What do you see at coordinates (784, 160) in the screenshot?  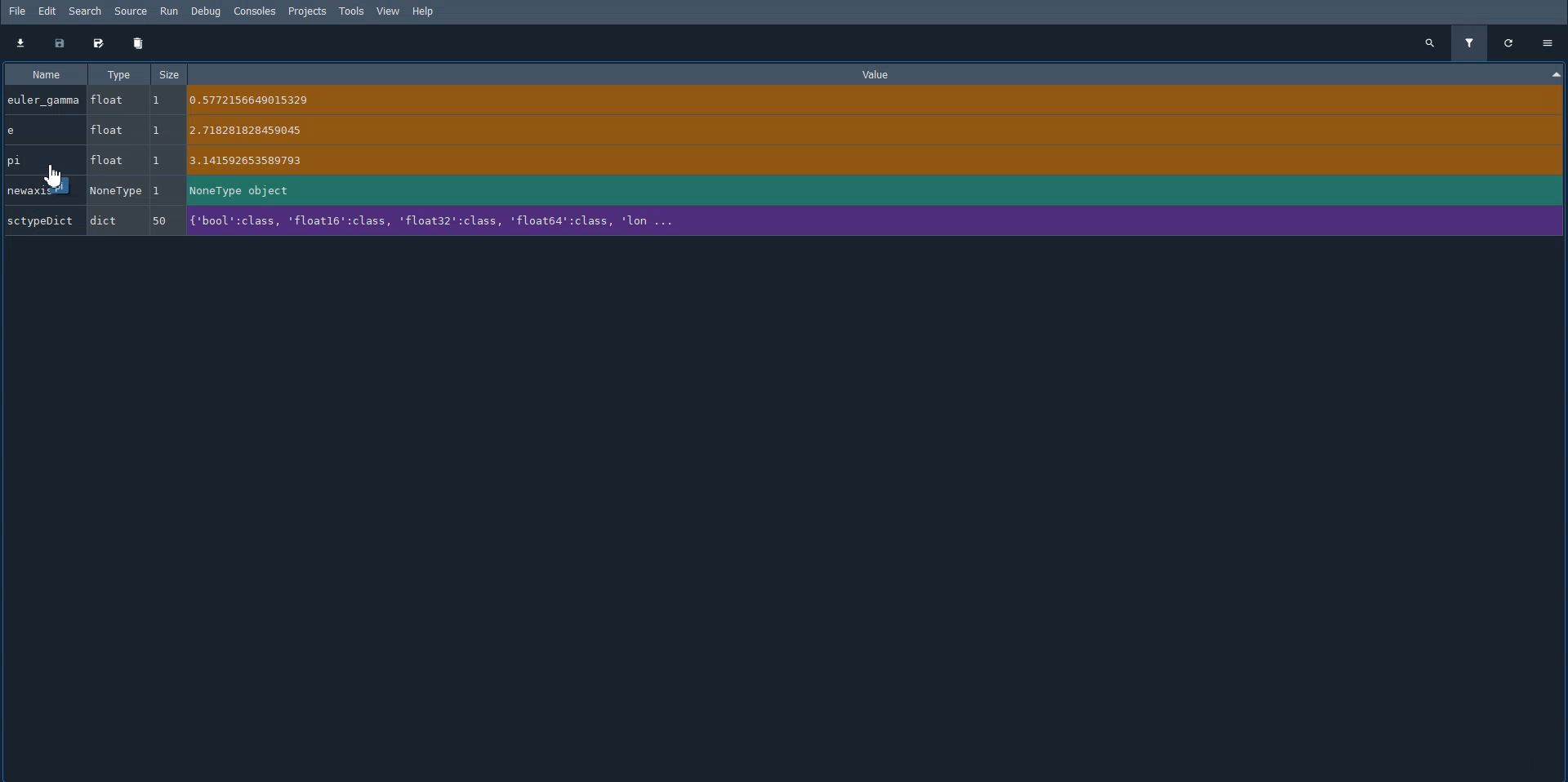 I see `pi` at bounding box center [784, 160].